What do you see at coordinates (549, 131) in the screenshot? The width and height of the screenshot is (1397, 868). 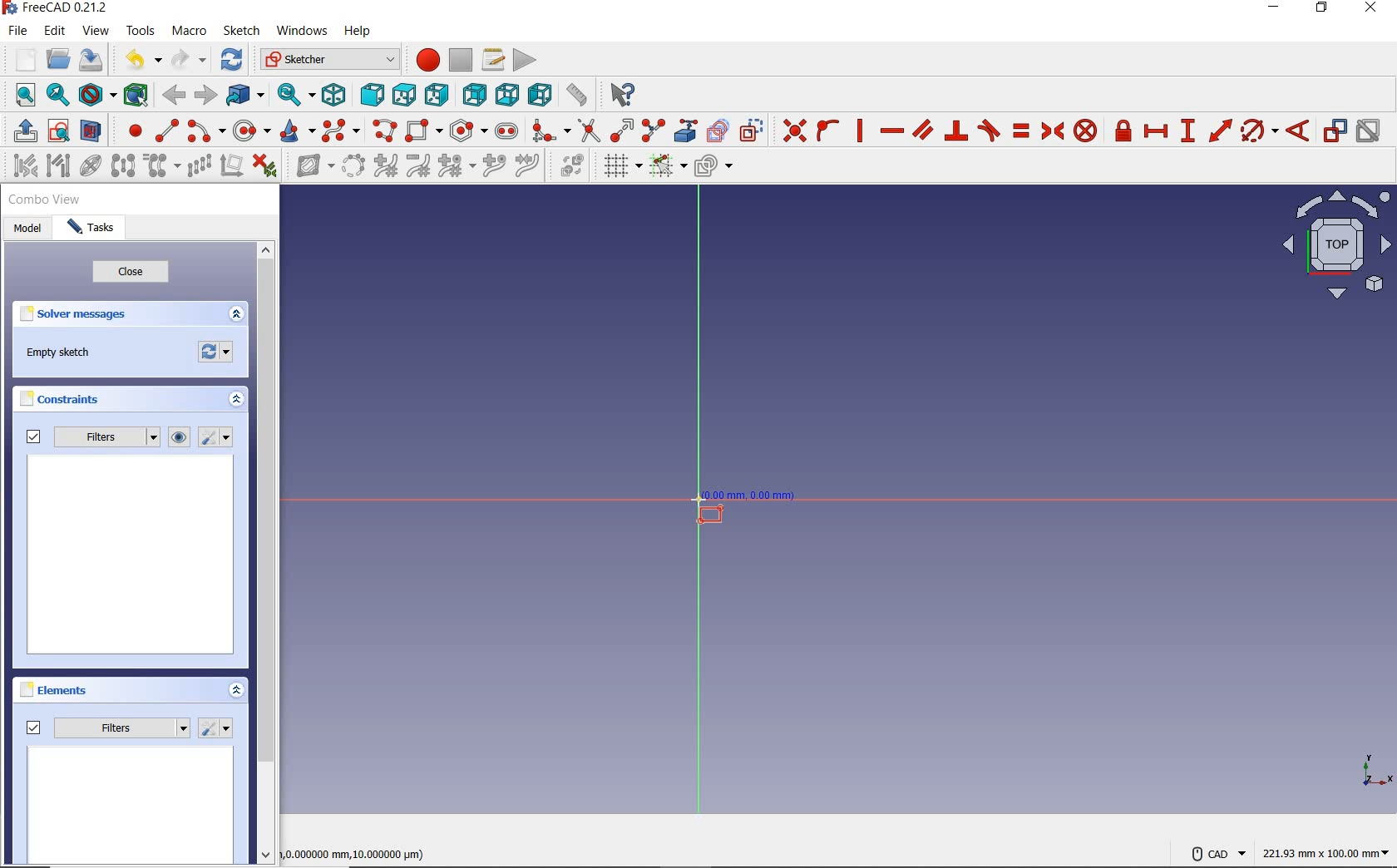 I see `create fillet` at bounding box center [549, 131].